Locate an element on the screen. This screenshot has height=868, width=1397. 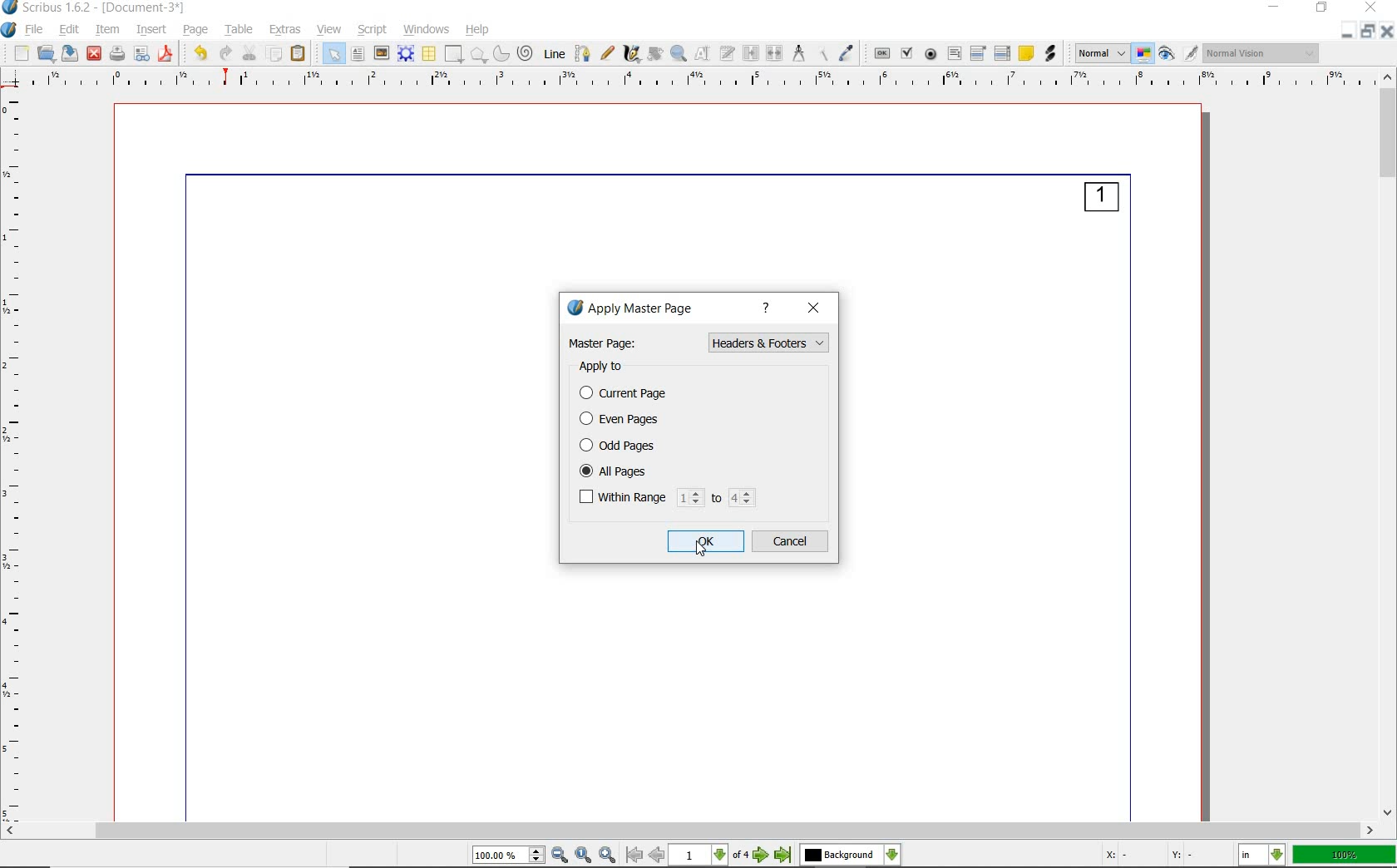
text annotation is located at coordinates (1027, 53).